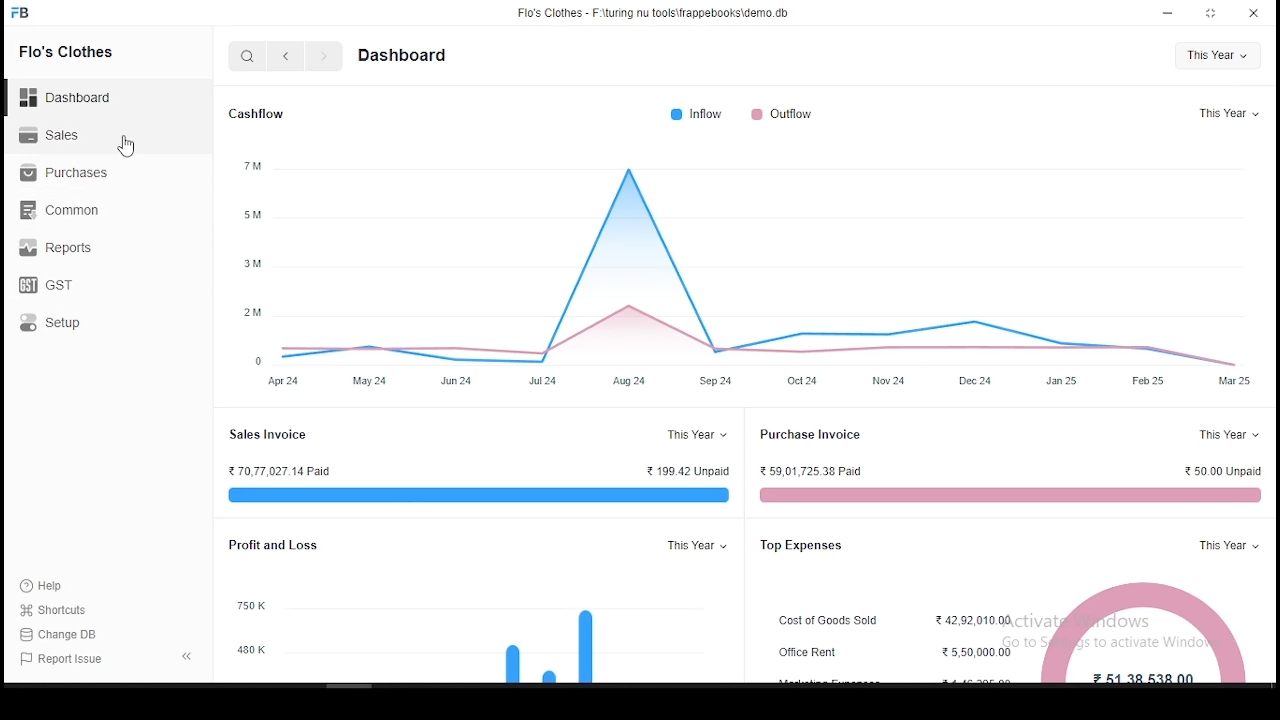 The image size is (1280, 720). I want to click on graph, so click(767, 258).